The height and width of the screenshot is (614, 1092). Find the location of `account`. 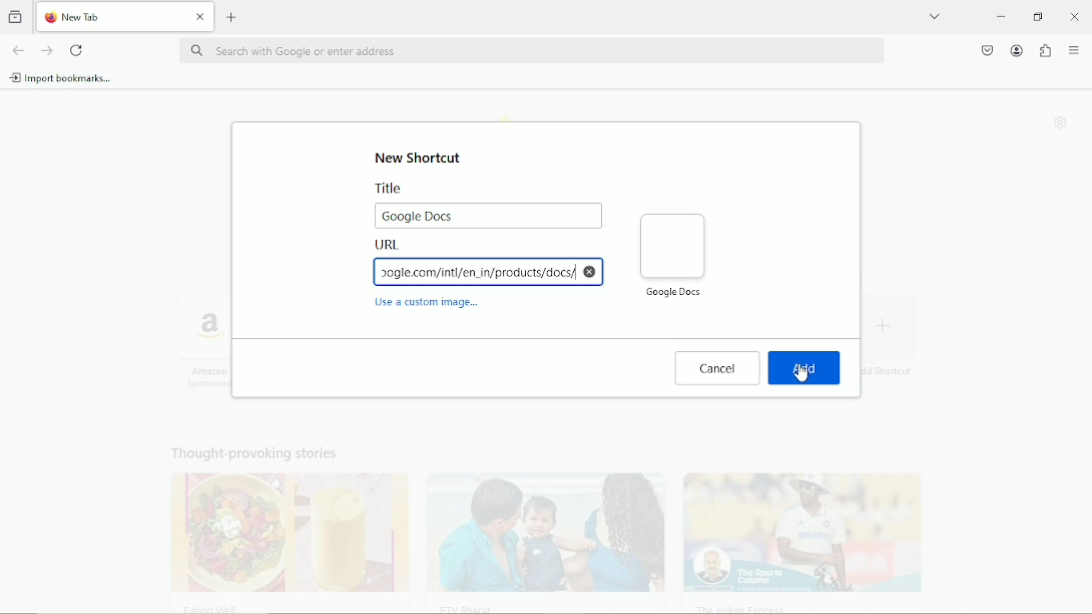

account is located at coordinates (1015, 50).